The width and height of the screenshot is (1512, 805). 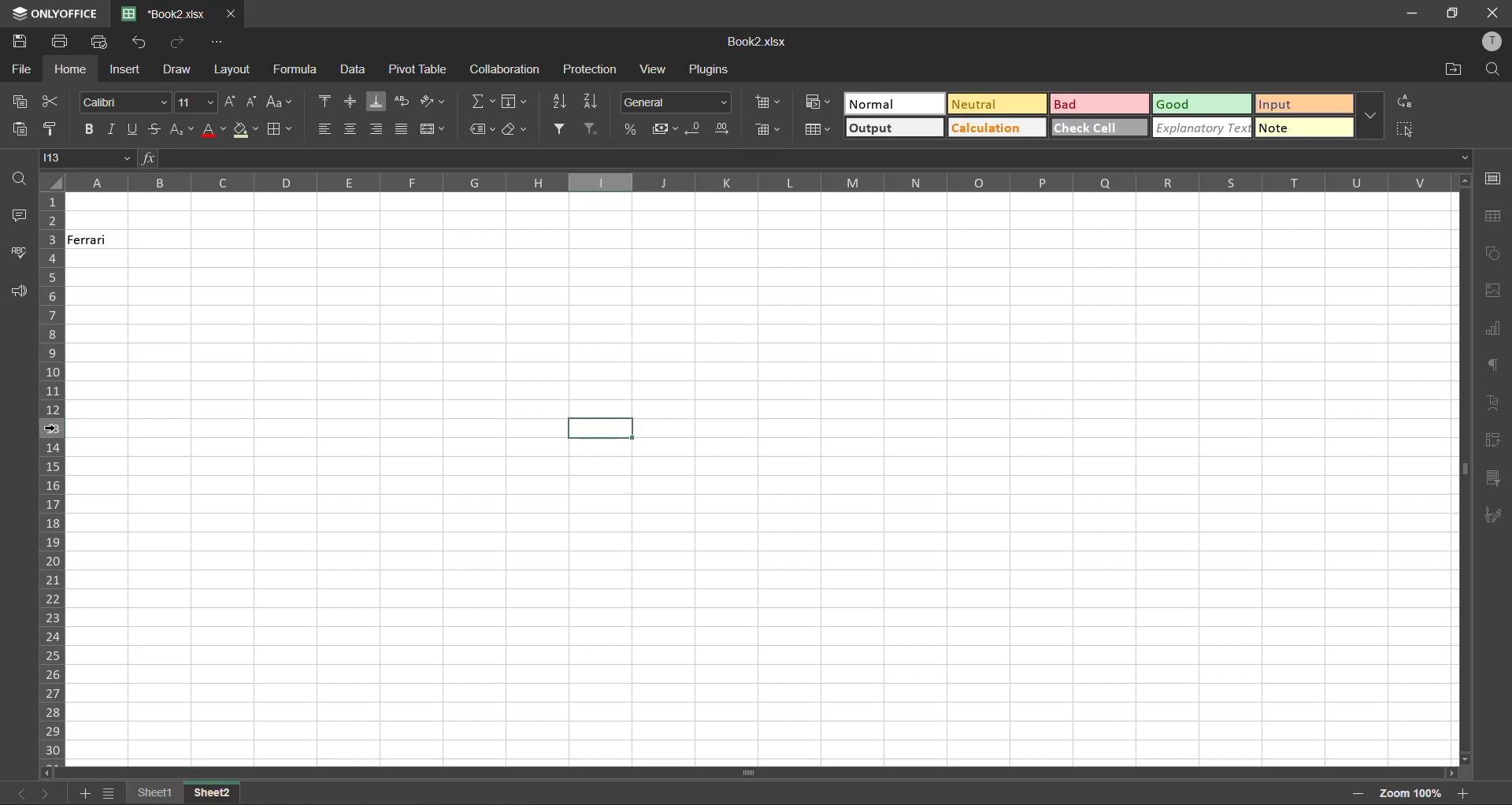 I want to click on insert, so click(x=127, y=67).